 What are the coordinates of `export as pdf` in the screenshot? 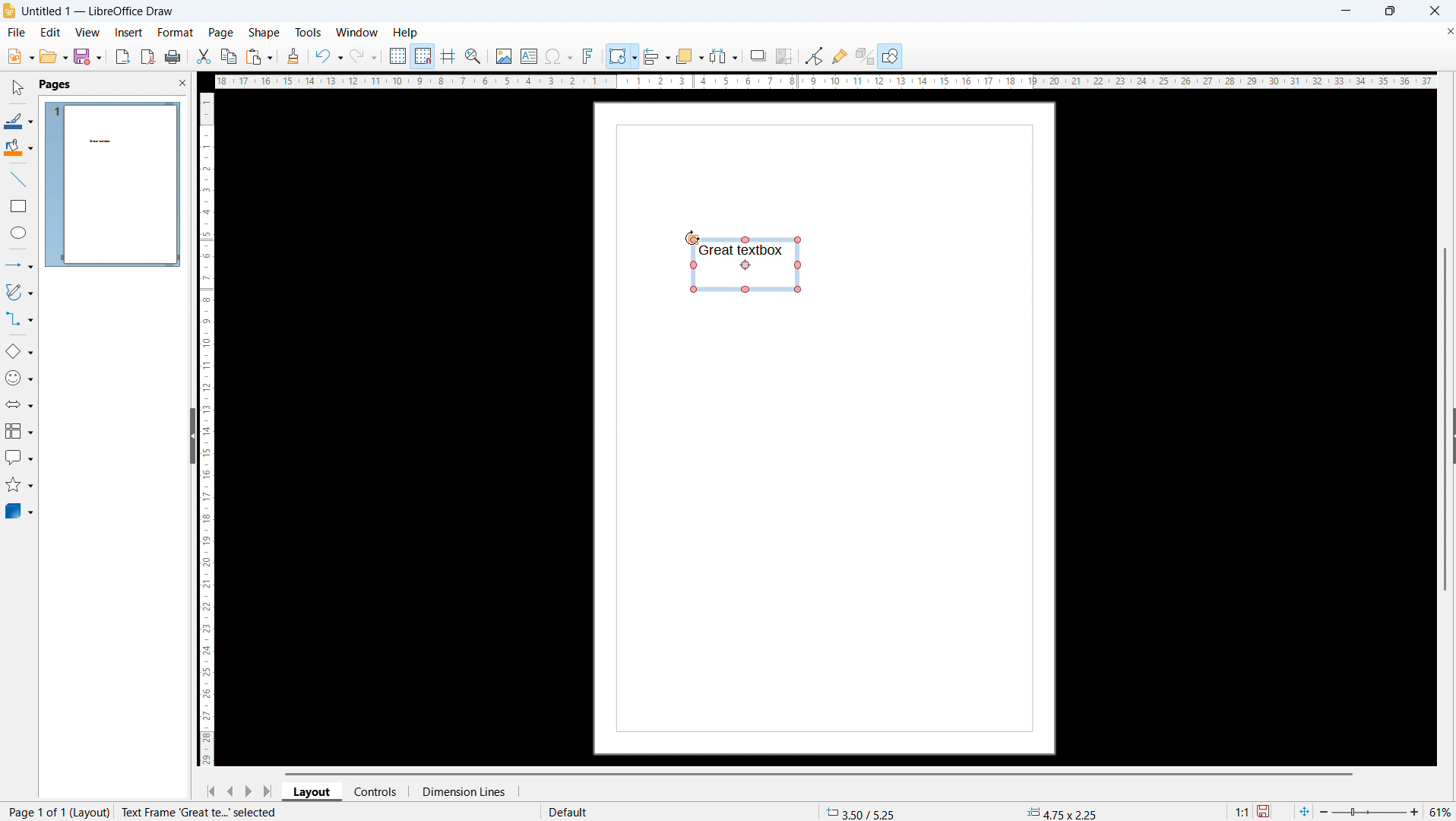 It's located at (147, 56).